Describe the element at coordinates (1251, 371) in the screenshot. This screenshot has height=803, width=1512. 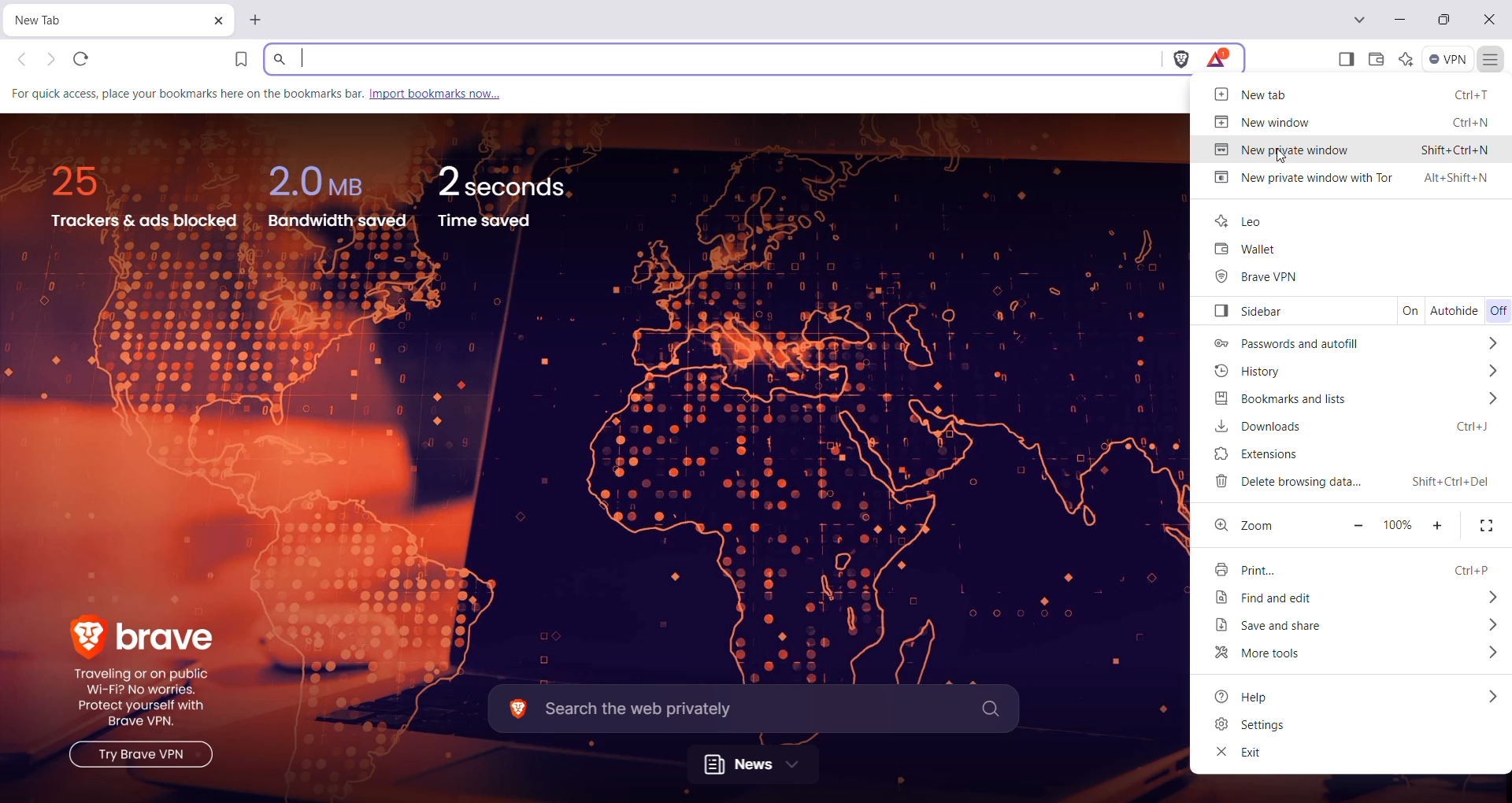
I see `History` at that location.